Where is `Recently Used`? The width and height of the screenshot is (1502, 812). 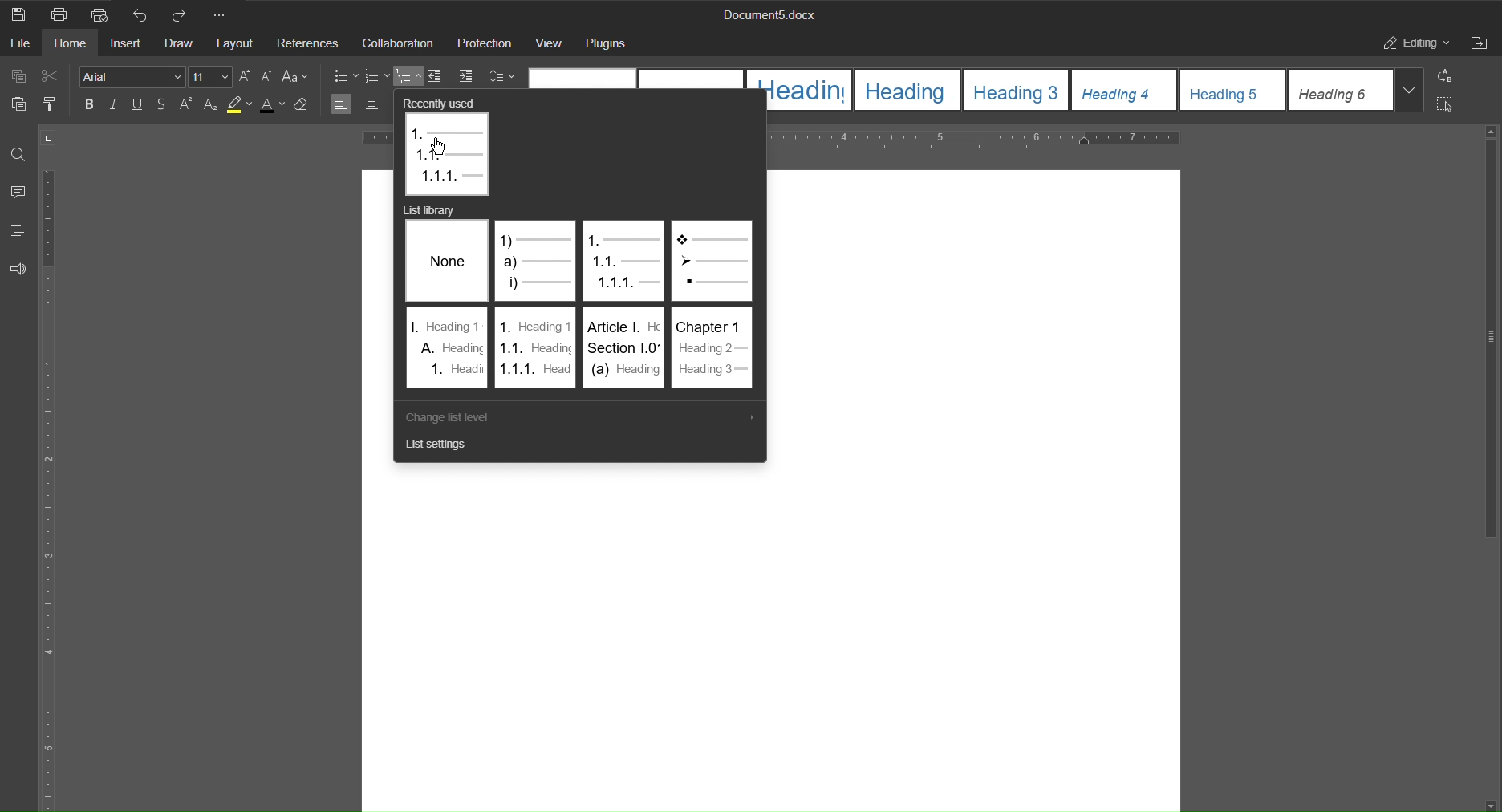
Recently Used is located at coordinates (449, 148).